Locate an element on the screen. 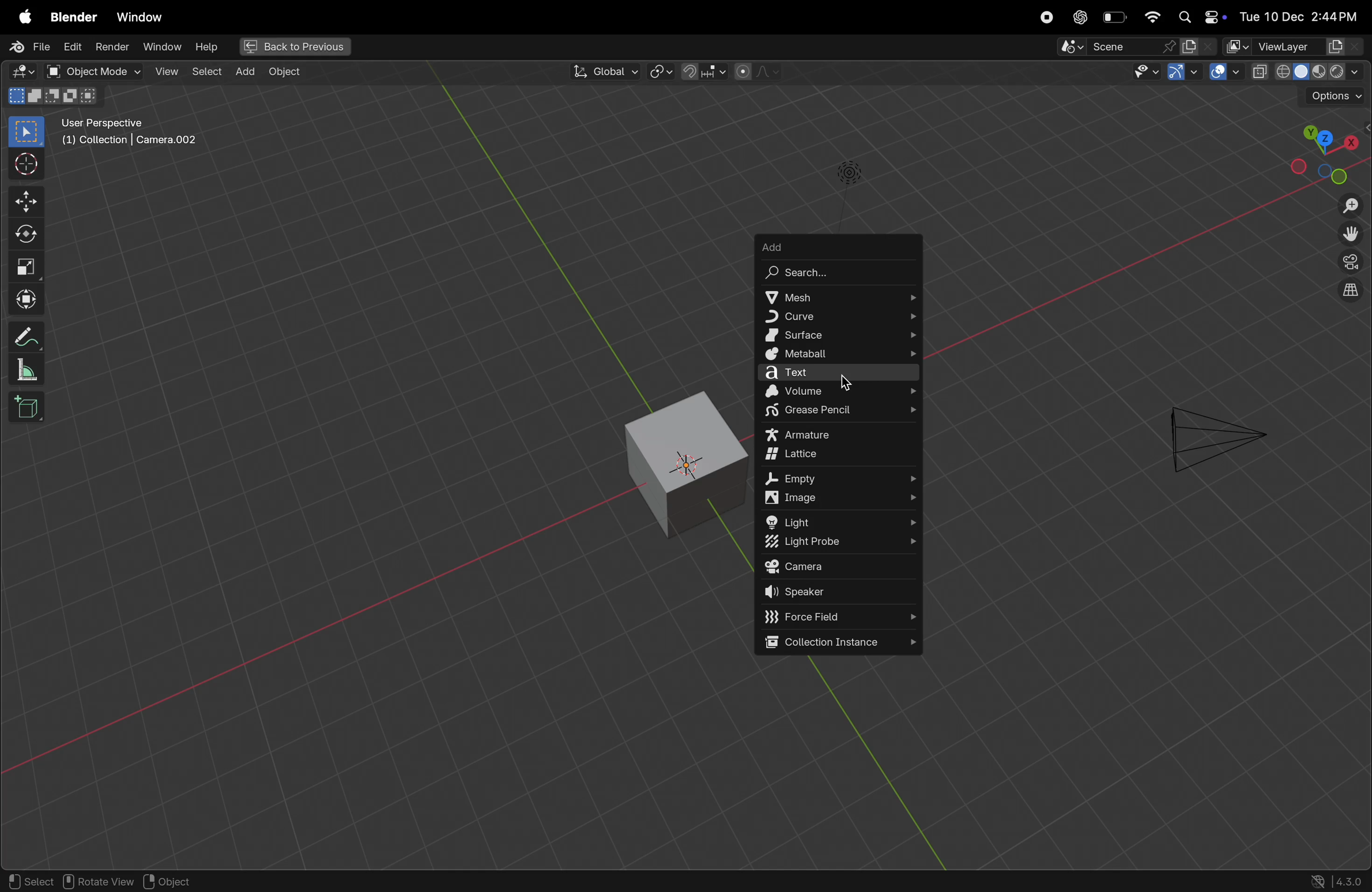  select toggle is located at coordinates (30, 882).